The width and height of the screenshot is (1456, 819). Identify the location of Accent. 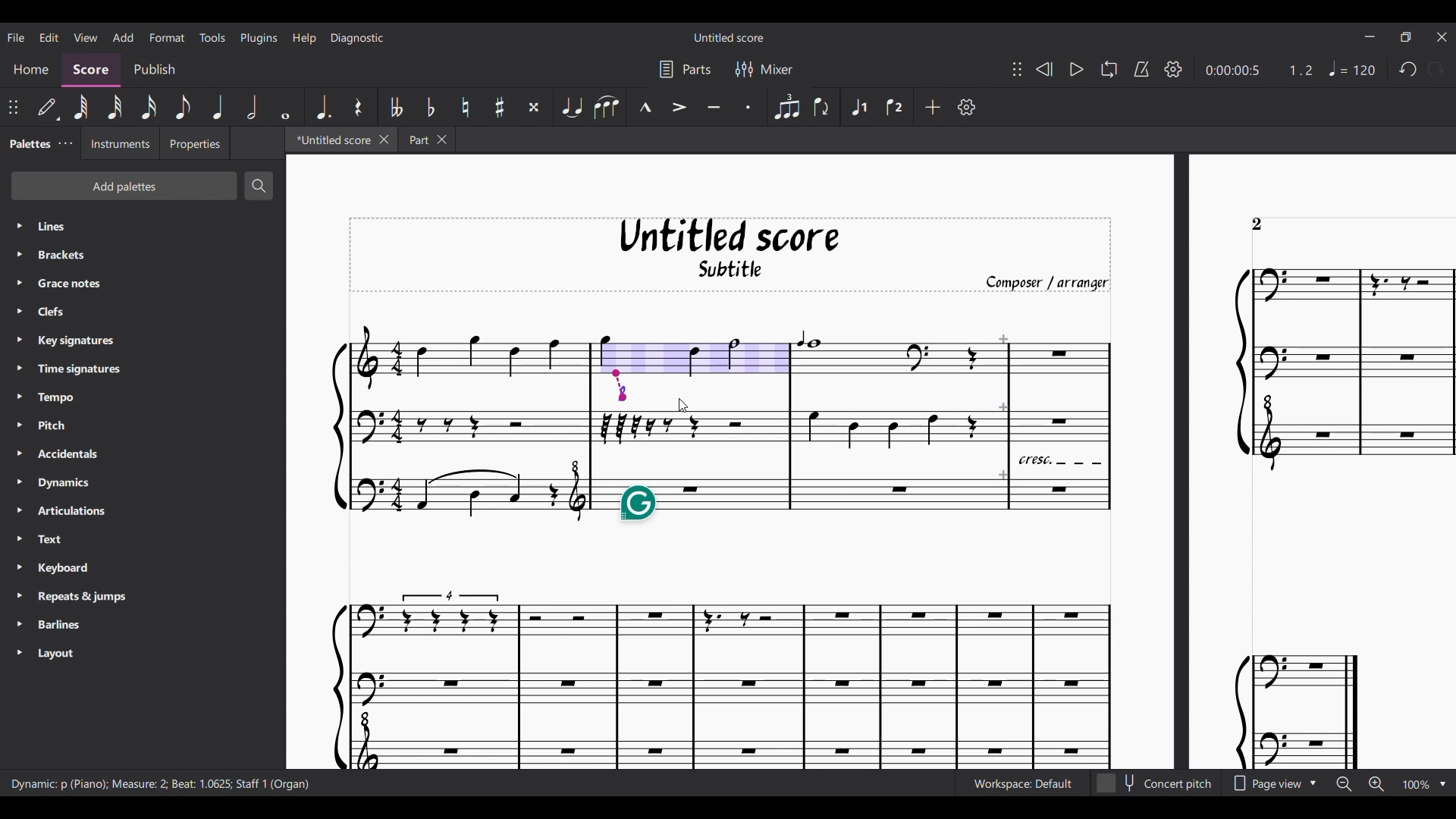
(679, 106).